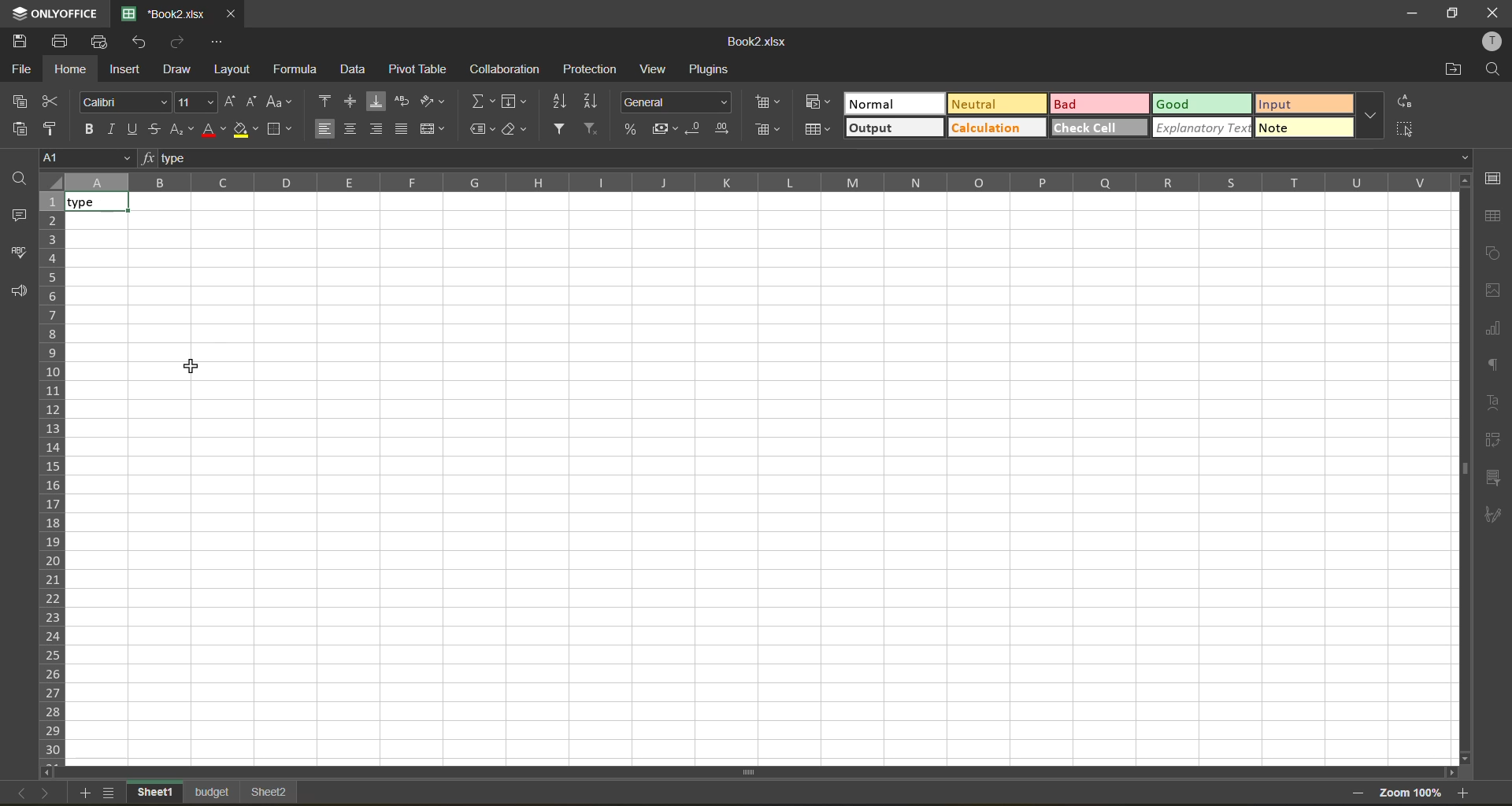 The height and width of the screenshot is (806, 1512). Describe the element at coordinates (232, 12) in the screenshot. I see `close tab` at that location.